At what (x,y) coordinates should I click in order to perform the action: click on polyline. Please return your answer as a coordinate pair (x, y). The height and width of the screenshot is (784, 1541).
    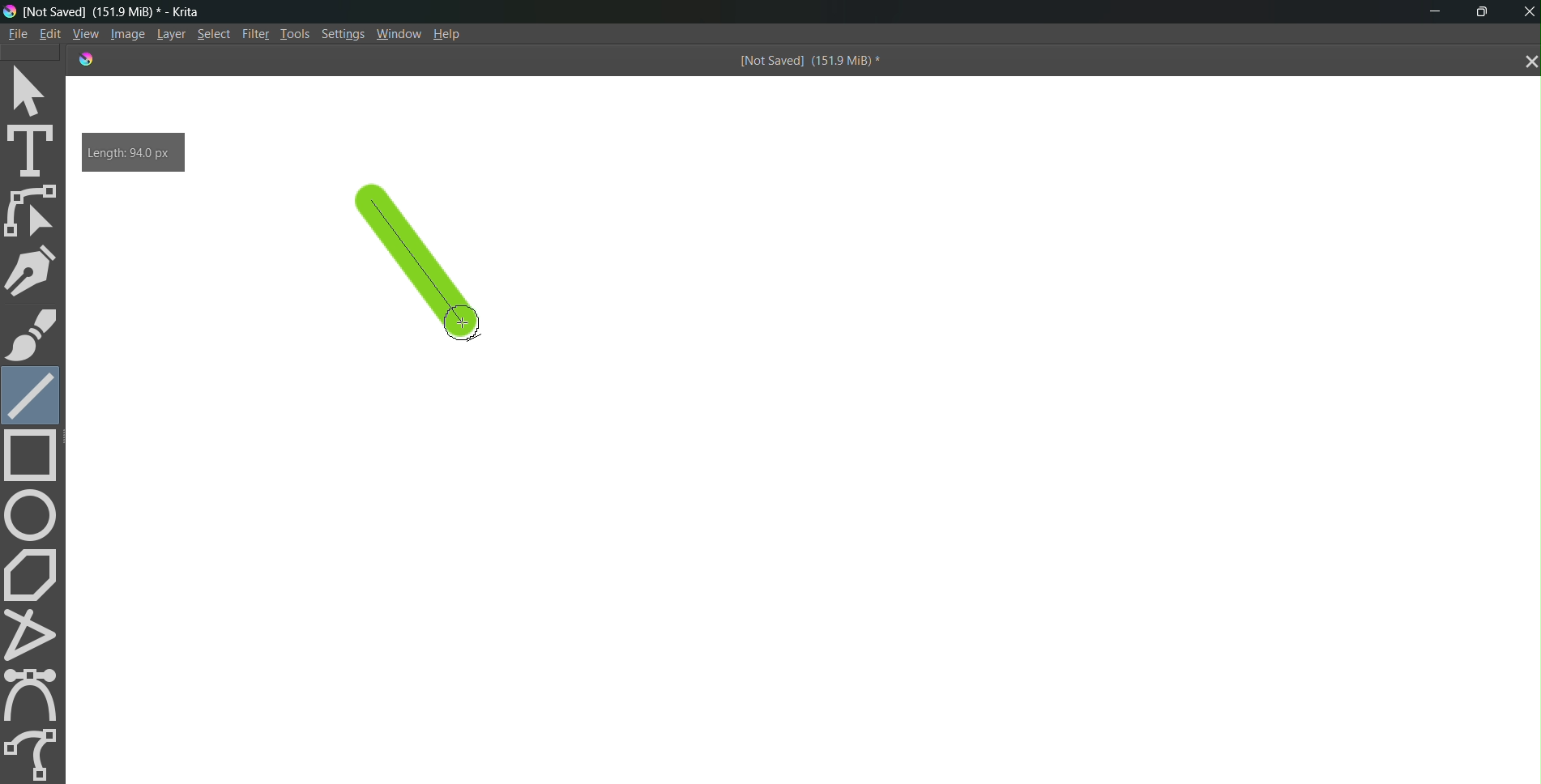
    Looking at the image, I should click on (36, 634).